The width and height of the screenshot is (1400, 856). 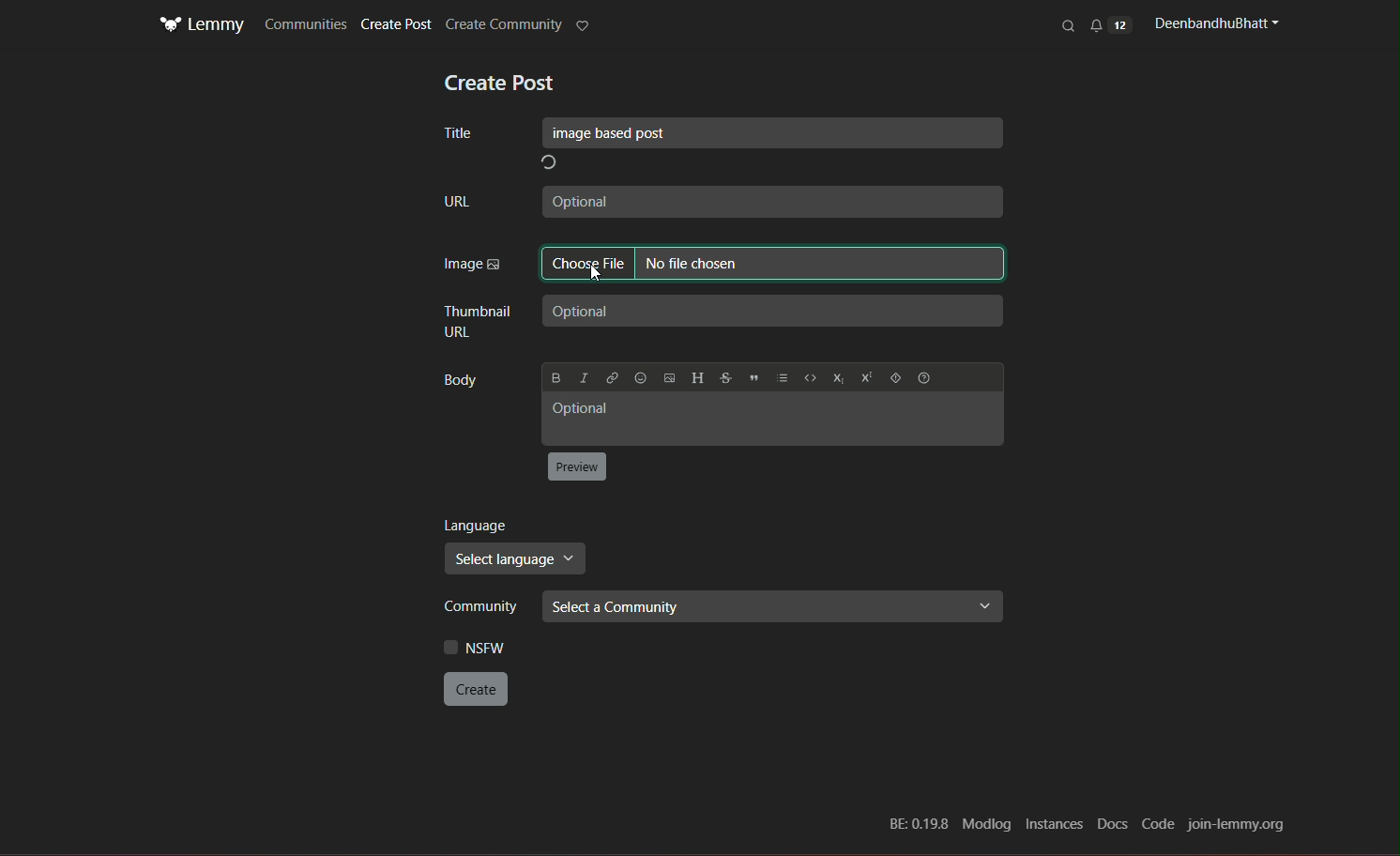 I want to click on Image, so click(x=473, y=266).